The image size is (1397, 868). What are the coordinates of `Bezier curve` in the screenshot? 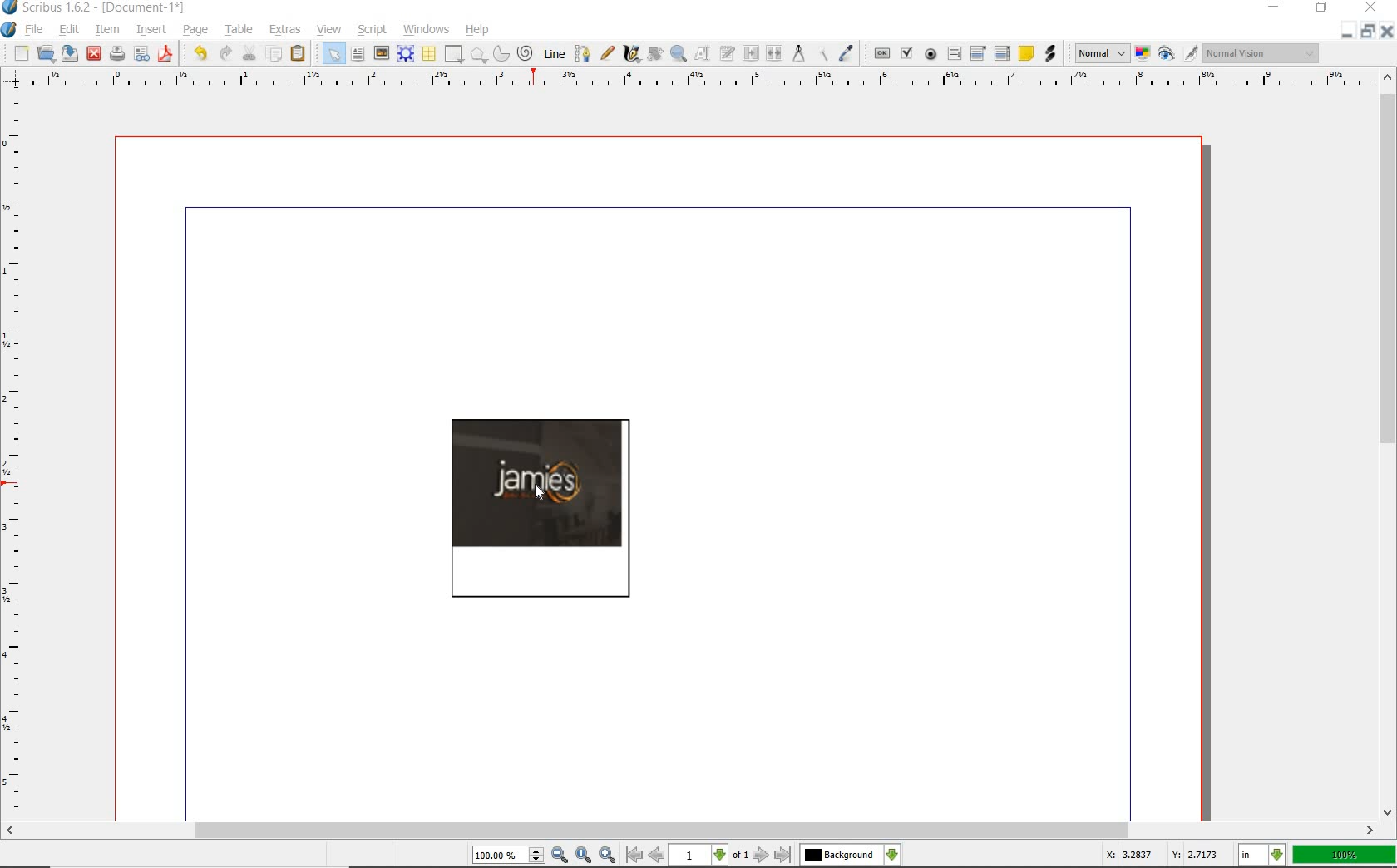 It's located at (583, 54).